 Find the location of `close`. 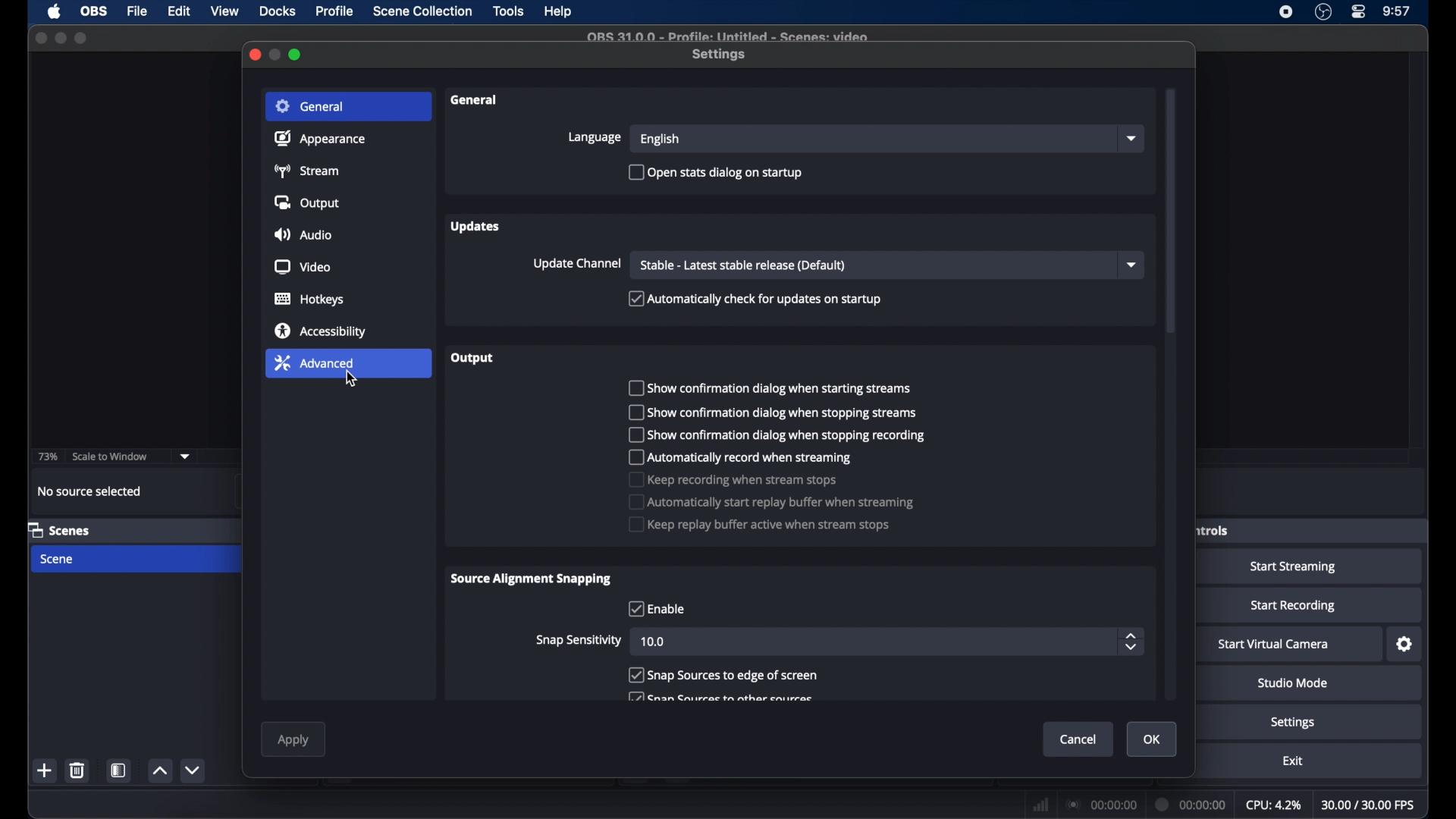

close is located at coordinates (254, 55).